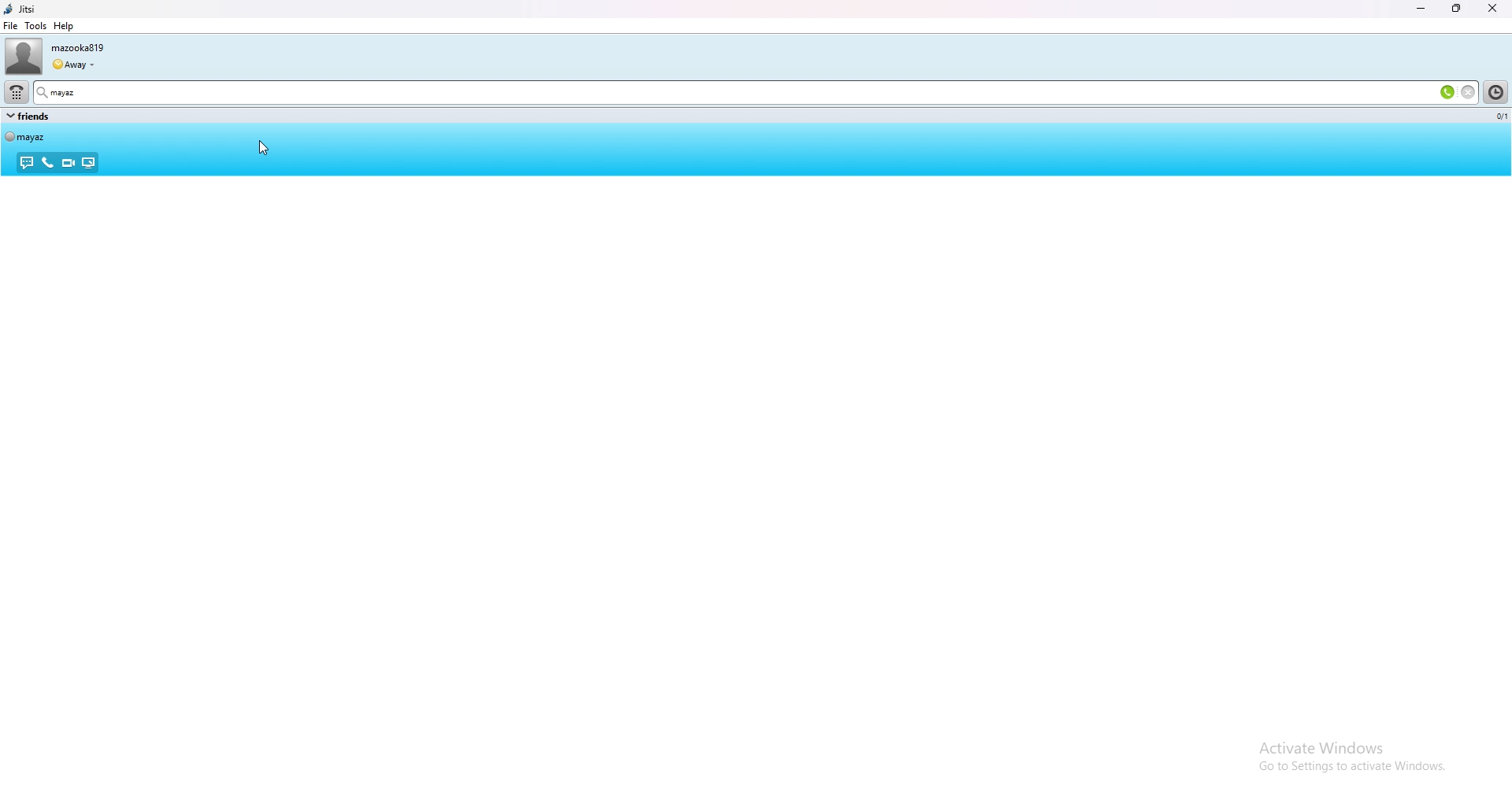 This screenshot has height=811, width=1512. Describe the element at coordinates (88, 163) in the screenshot. I see `share desktop` at that location.